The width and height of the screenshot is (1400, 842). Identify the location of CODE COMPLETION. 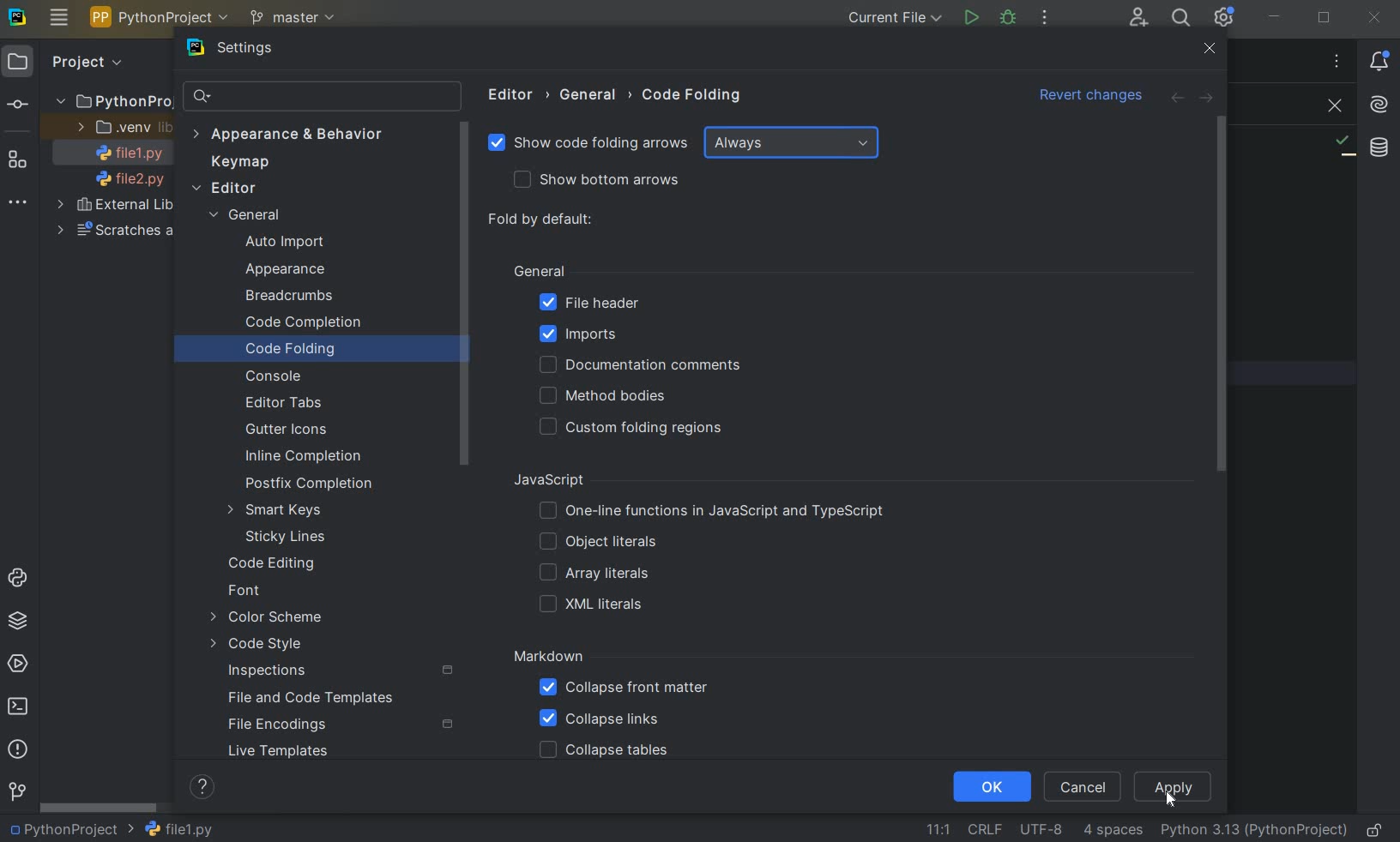
(303, 323).